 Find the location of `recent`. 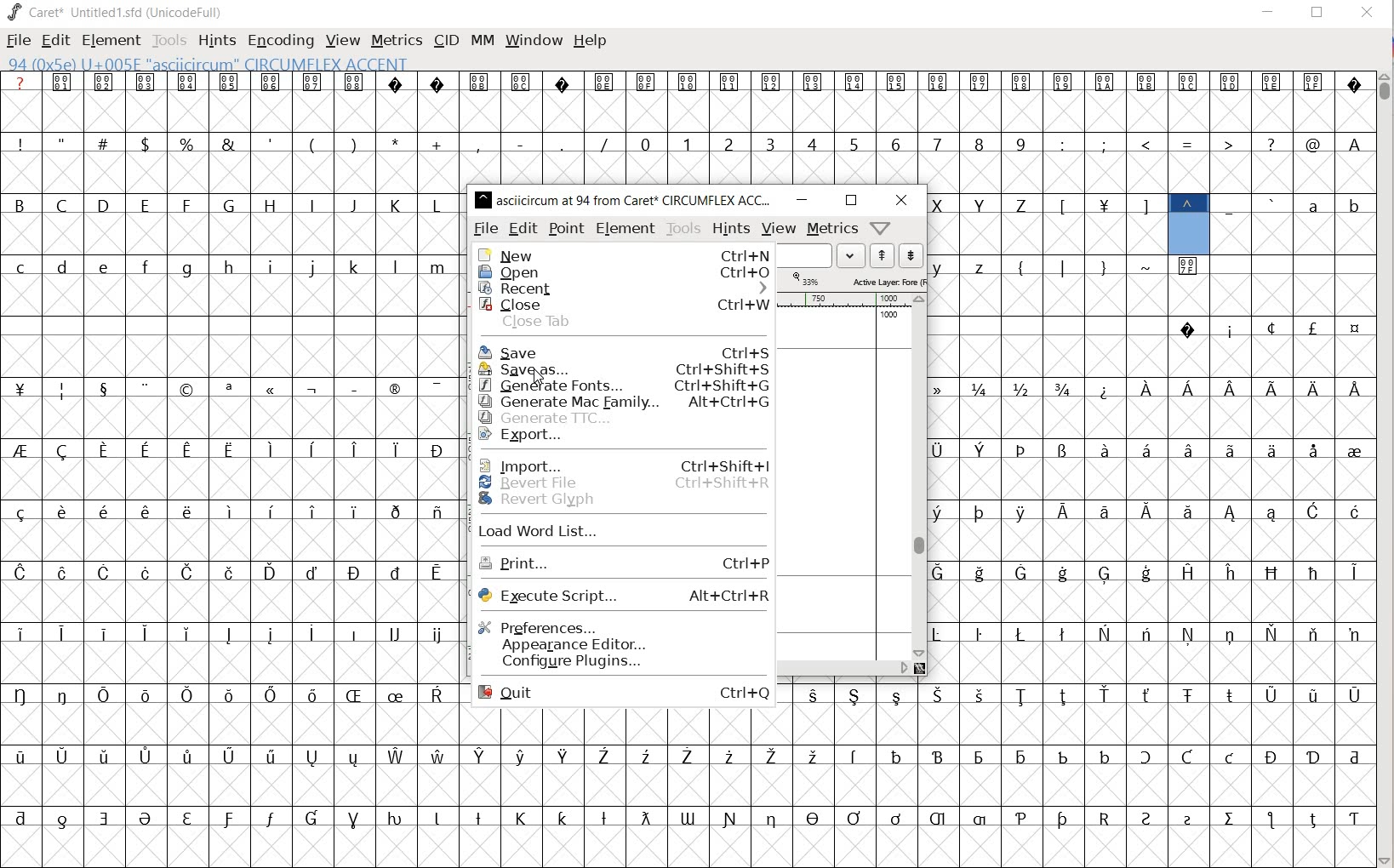

recent is located at coordinates (625, 289).